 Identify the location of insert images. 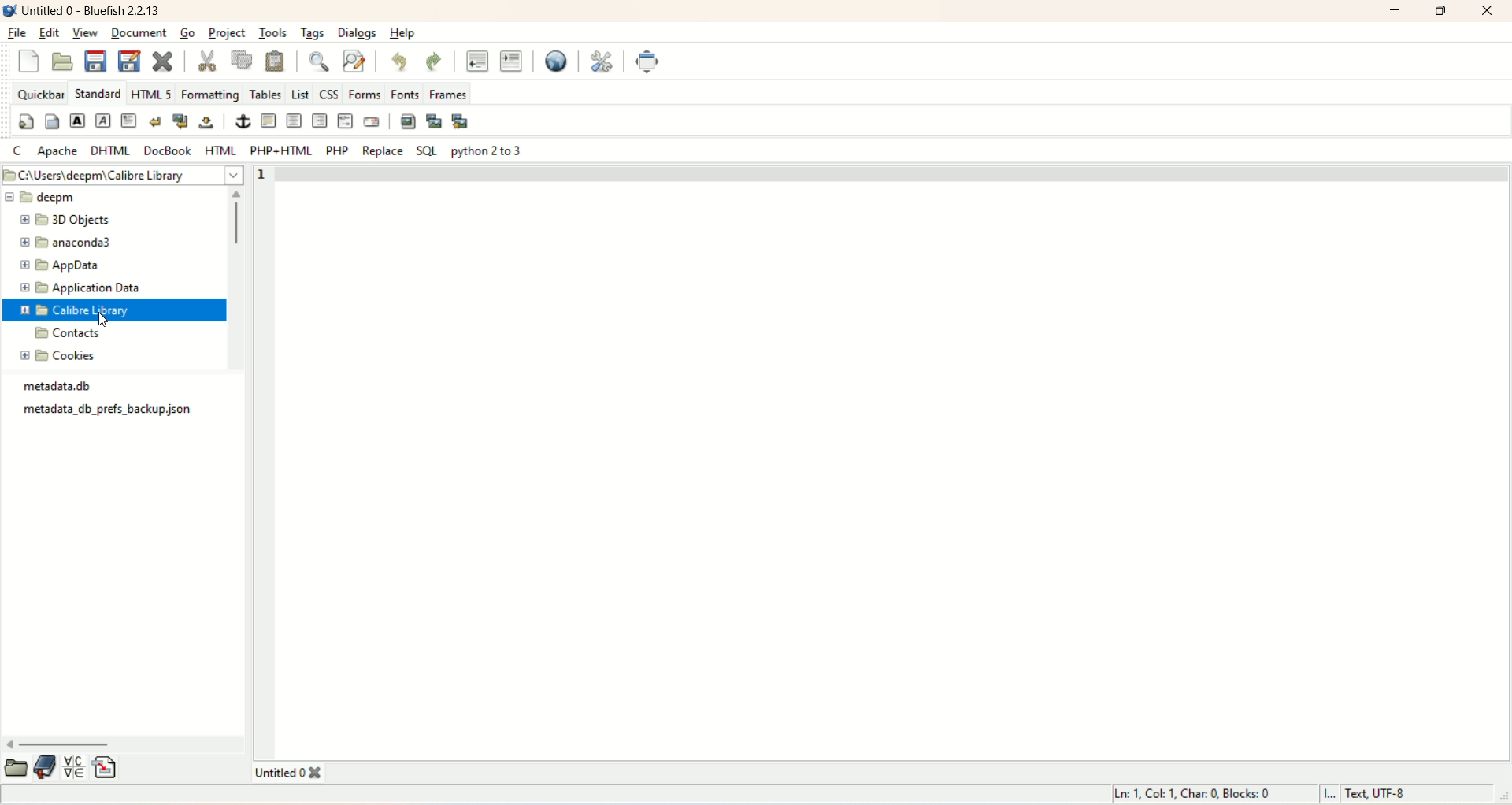
(407, 121).